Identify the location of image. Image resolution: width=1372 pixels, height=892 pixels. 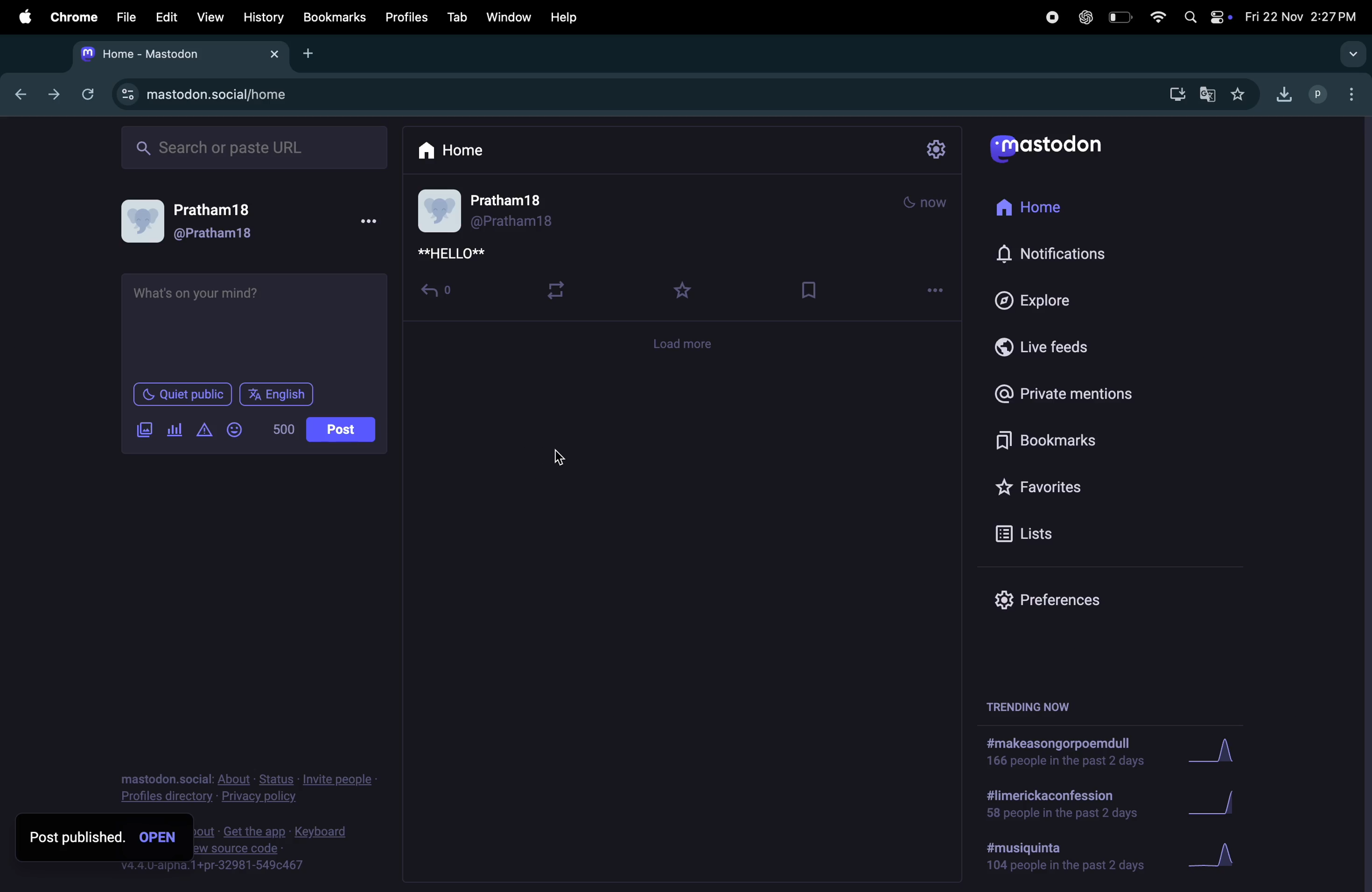
(145, 428).